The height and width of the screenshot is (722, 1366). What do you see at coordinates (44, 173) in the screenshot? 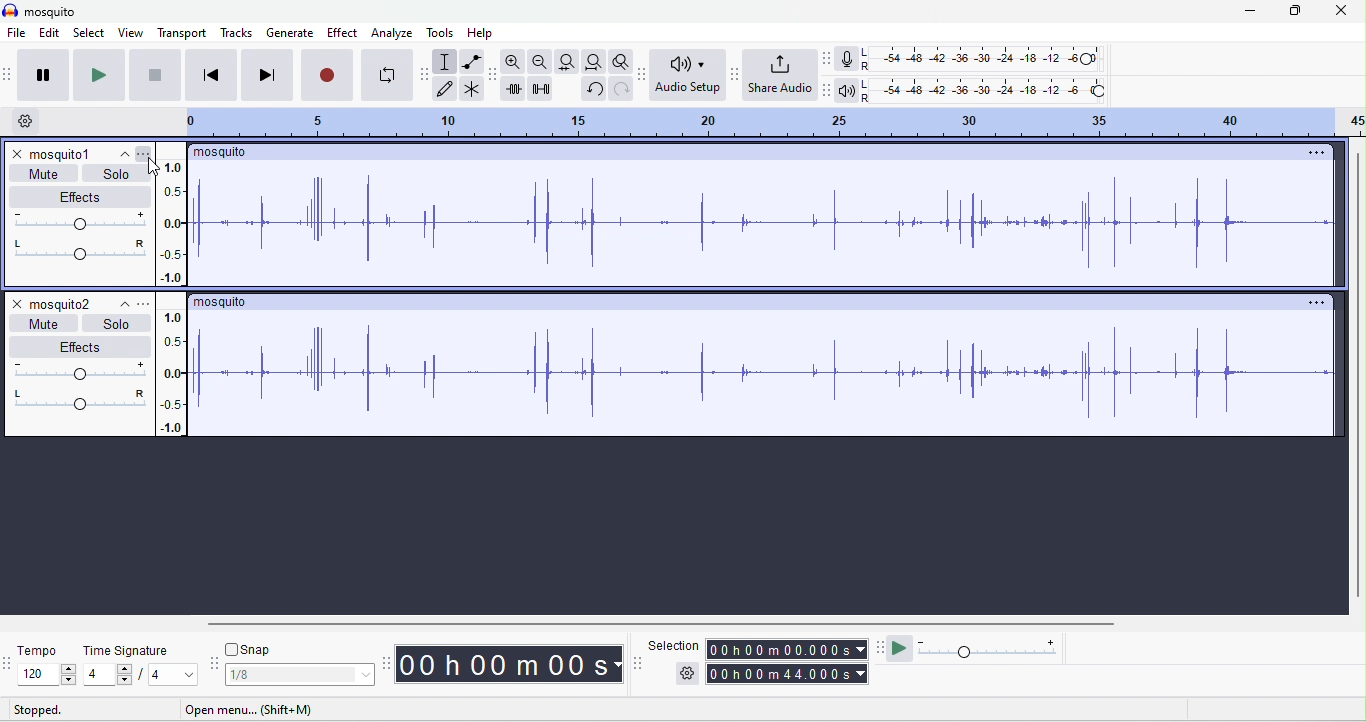
I see `mute` at bounding box center [44, 173].